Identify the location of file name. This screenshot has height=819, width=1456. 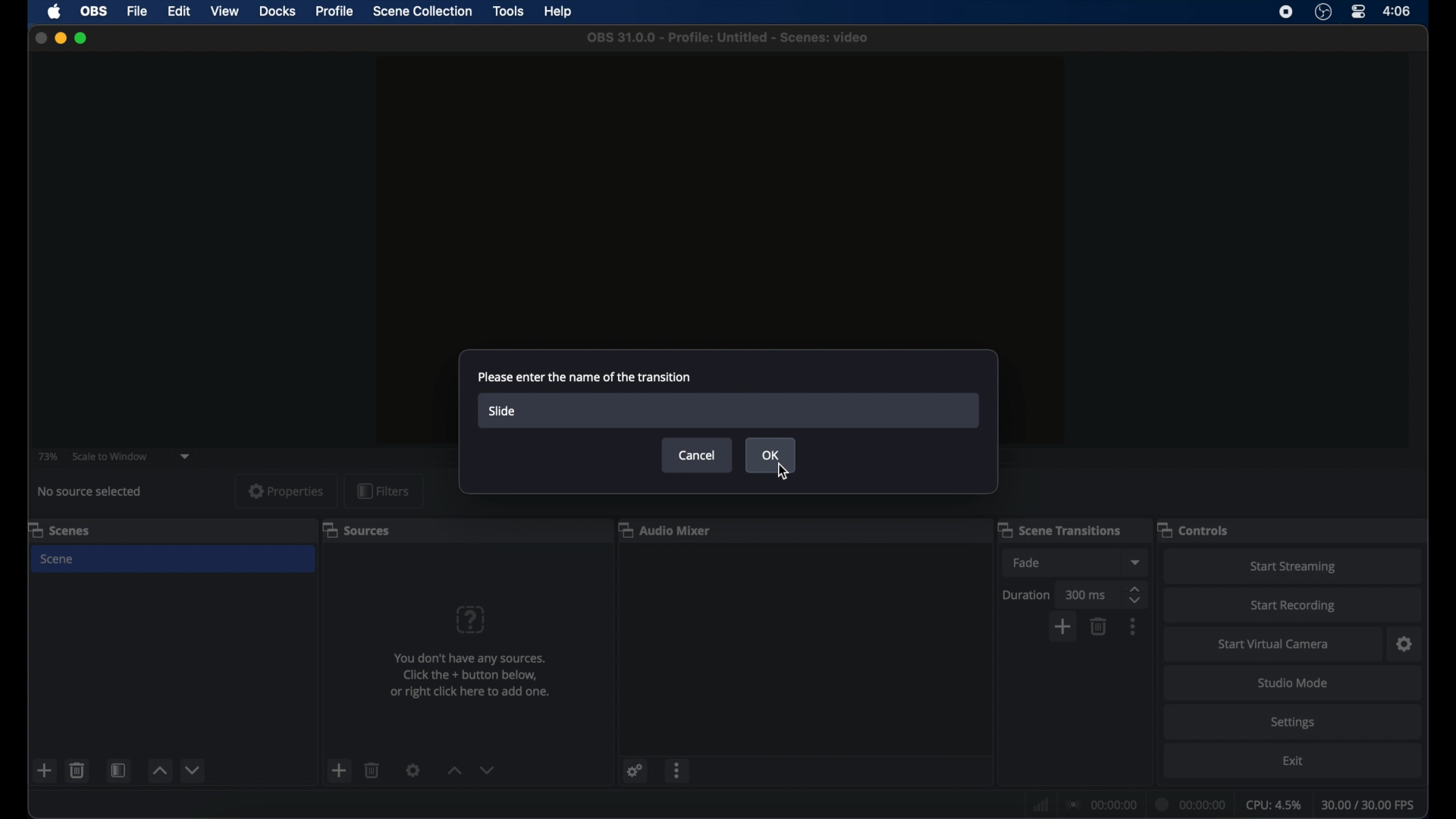
(727, 38).